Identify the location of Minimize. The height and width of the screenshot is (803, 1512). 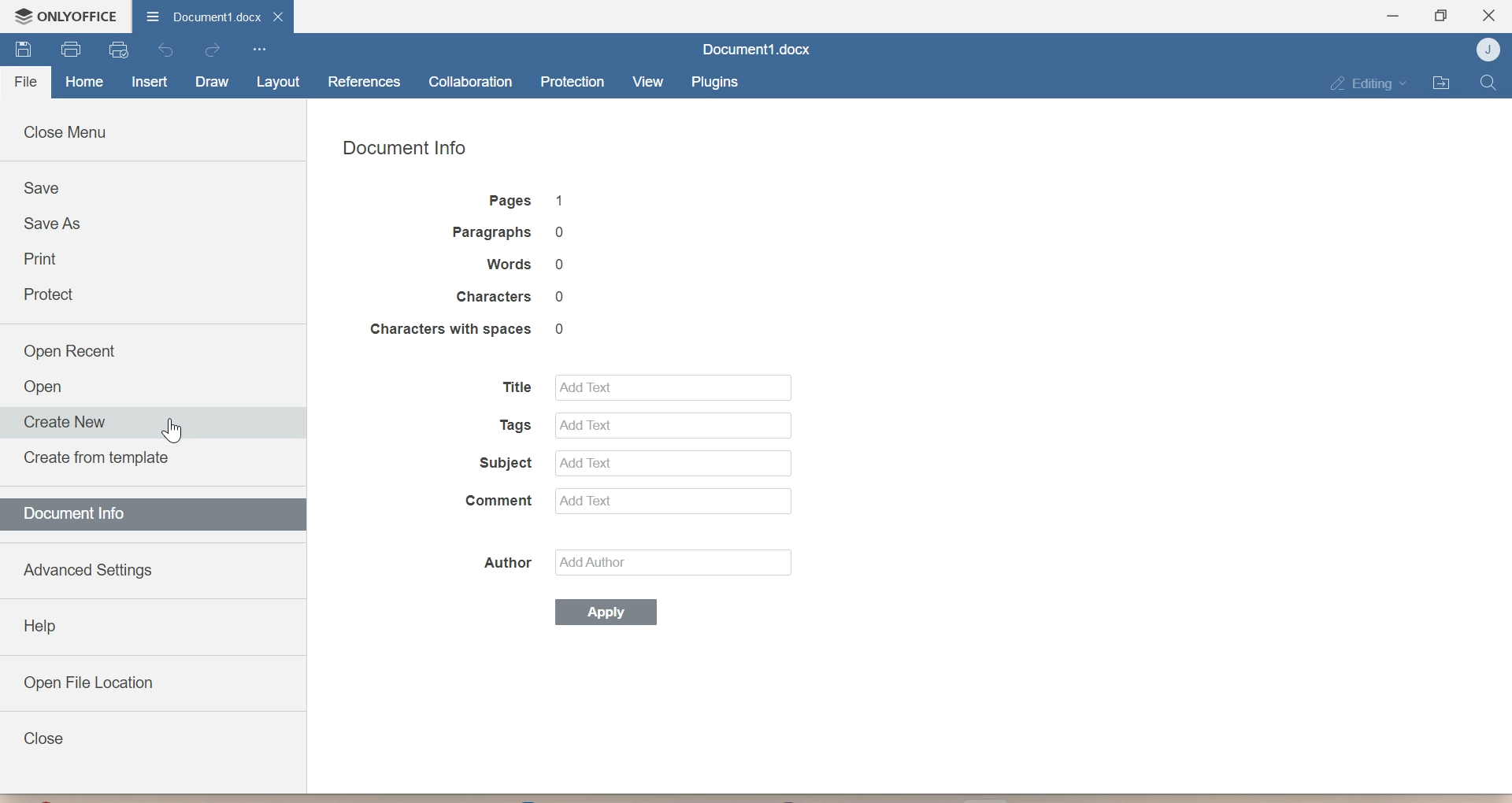
(1392, 16).